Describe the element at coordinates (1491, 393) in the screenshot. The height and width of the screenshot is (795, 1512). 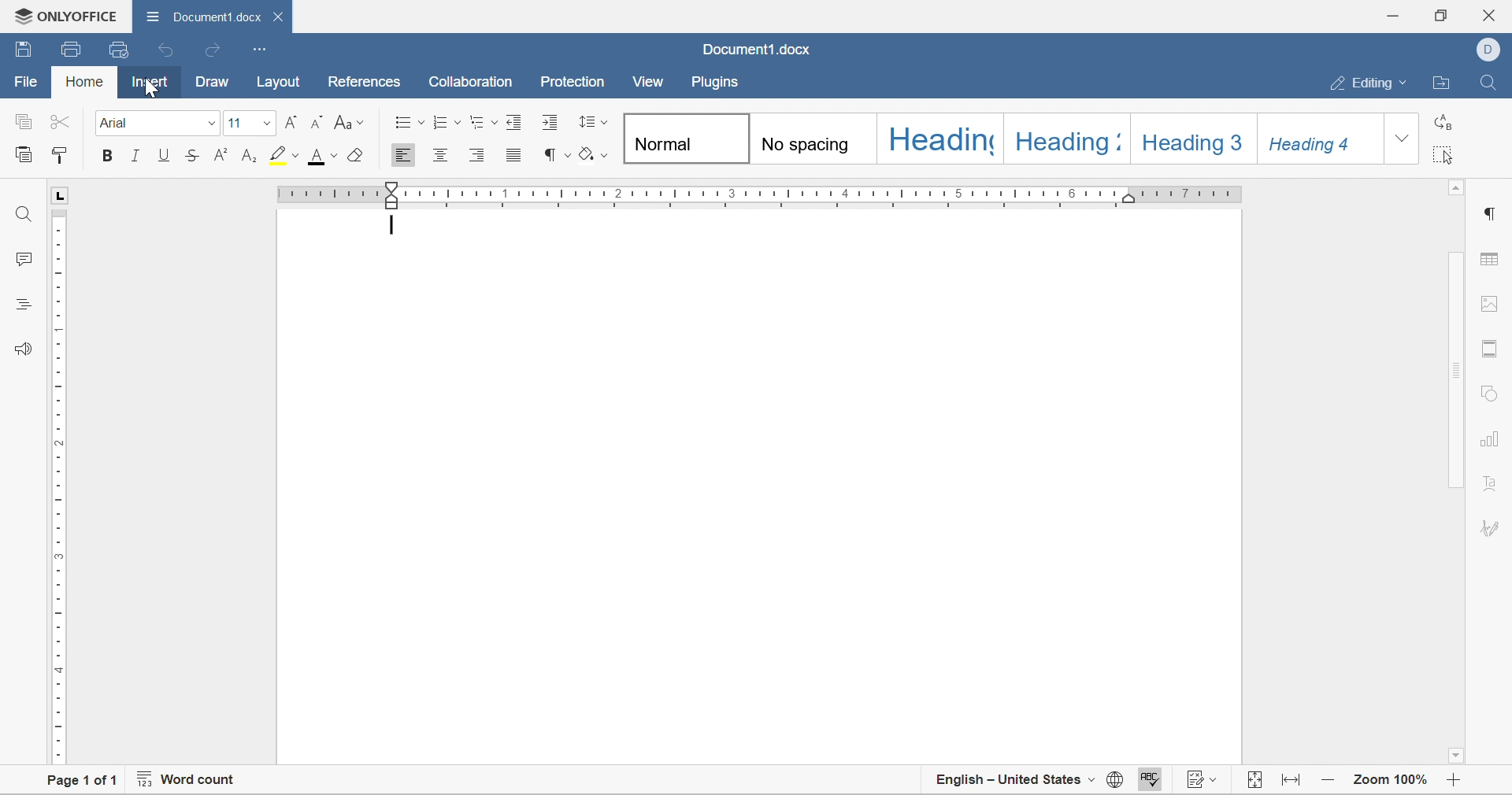
I see `Shape settings` at that location.